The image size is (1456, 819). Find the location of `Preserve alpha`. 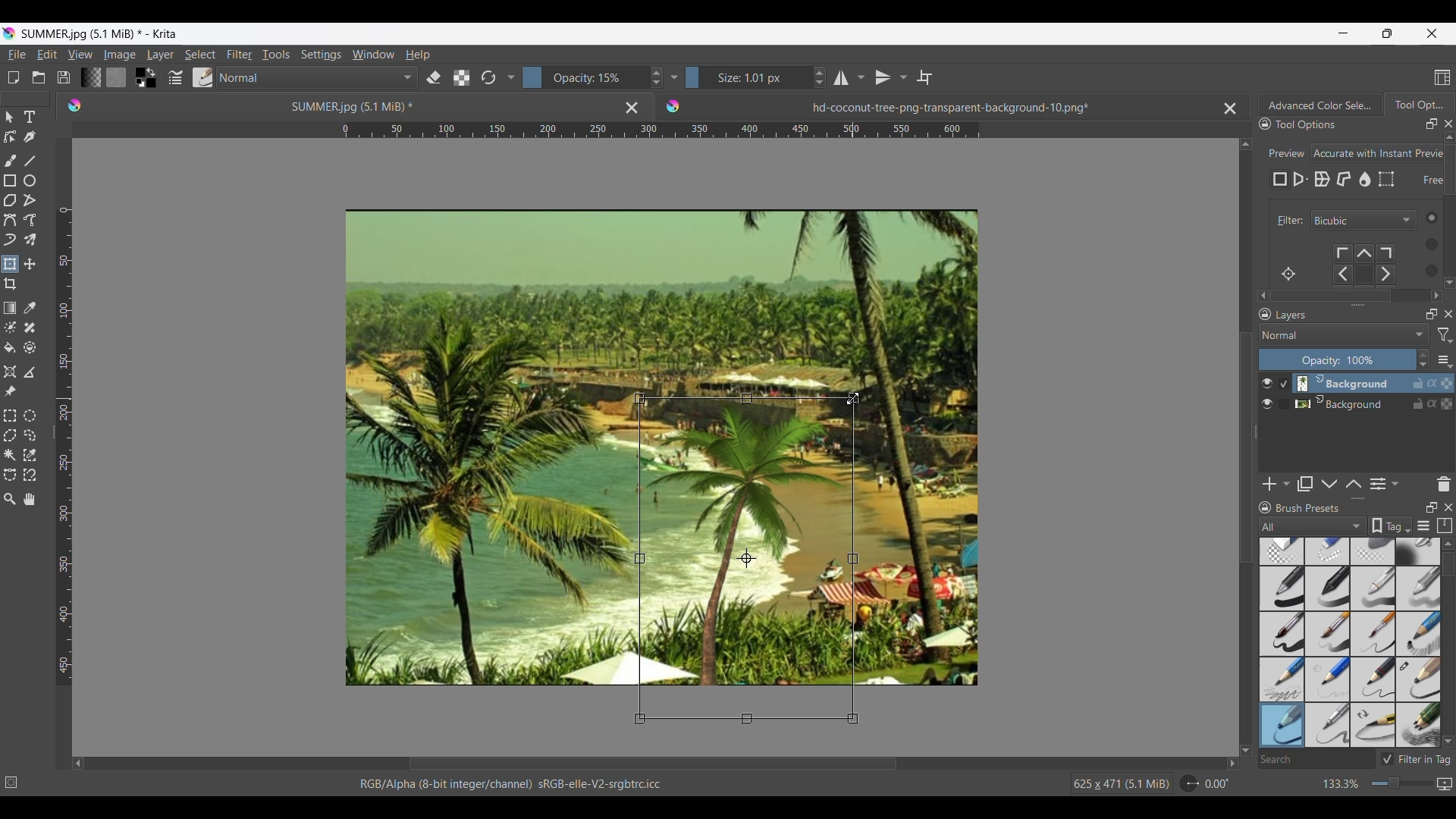

Preserve alpha is located at coordinates (461, 78).